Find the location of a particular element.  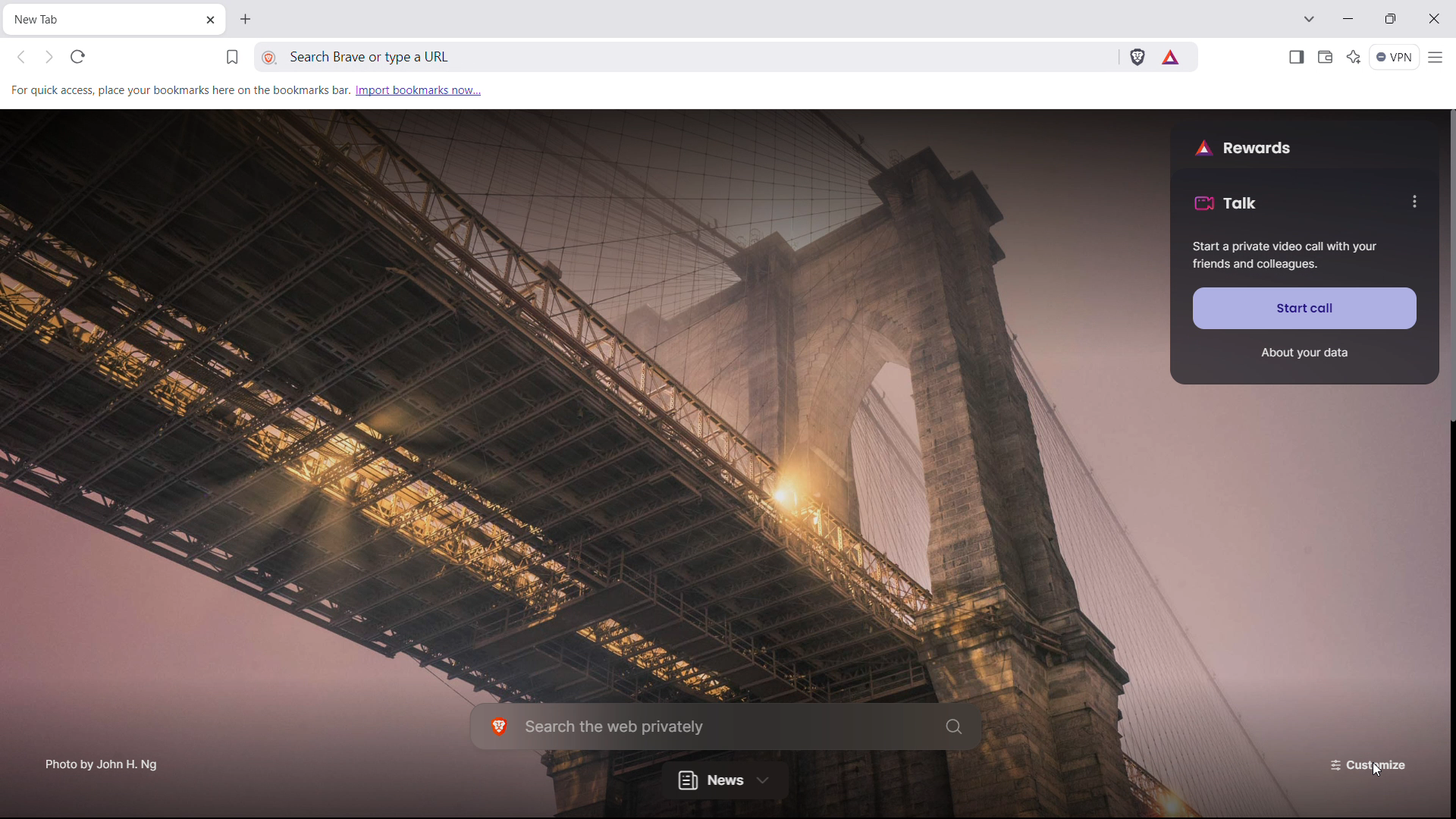

options is located at coordinates (1413, 201).